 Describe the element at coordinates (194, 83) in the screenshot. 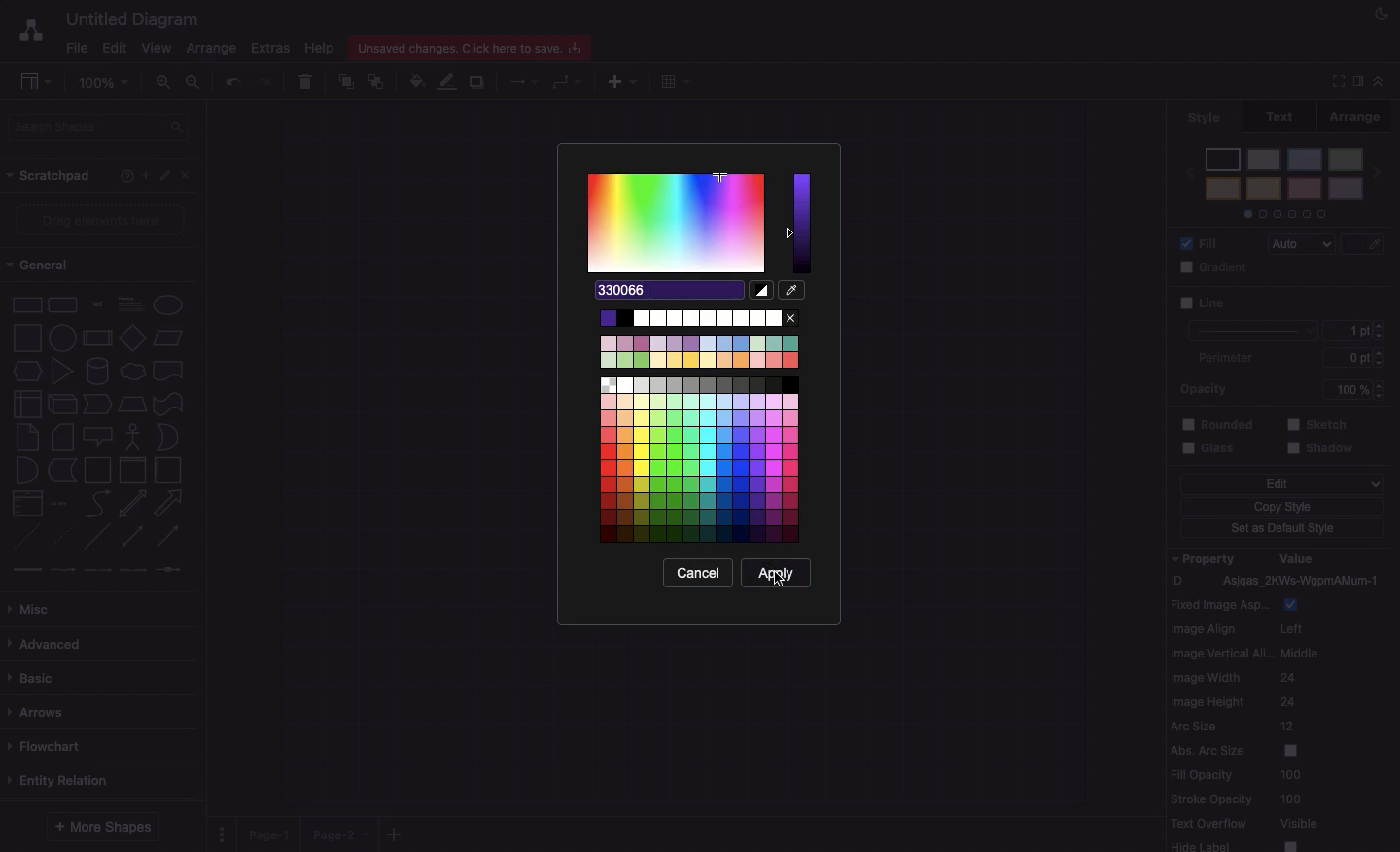

I see `Zoom out` at that location.